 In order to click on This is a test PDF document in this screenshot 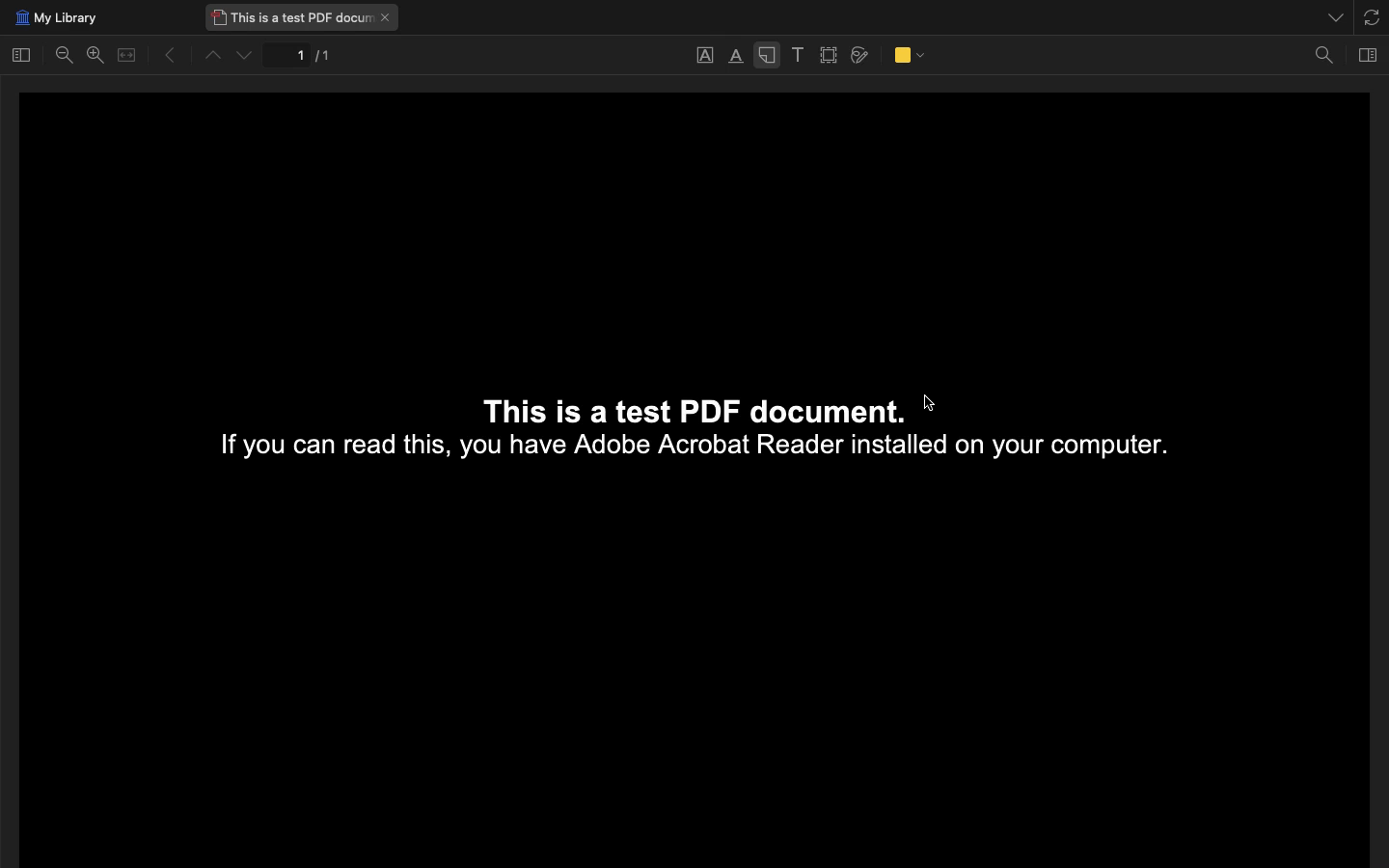, I will do `click(303, 17)`.